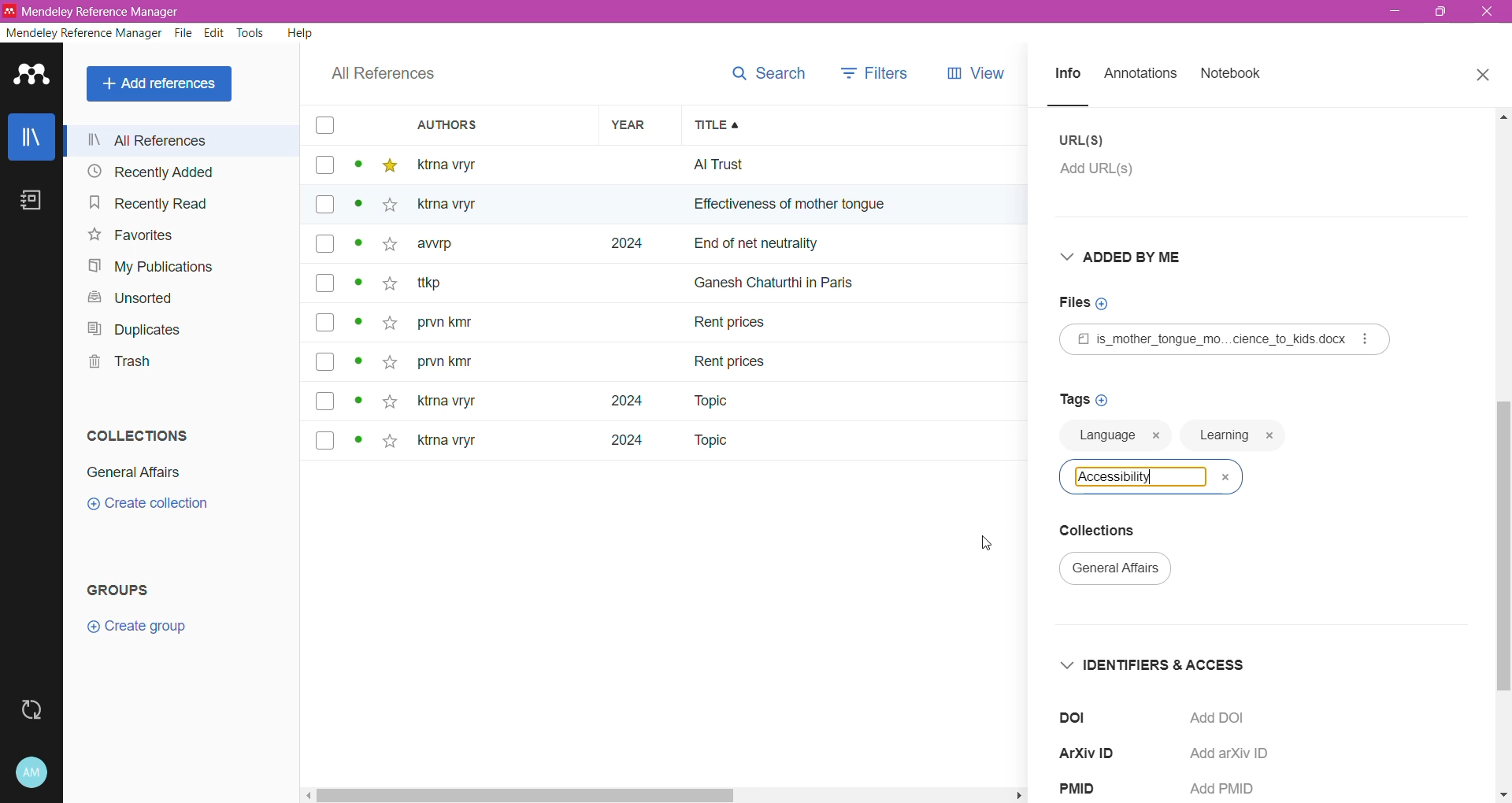 Image resolution: width=1512 pixels, height=803 pixels. I want to click on Groups, so click(121, 590).